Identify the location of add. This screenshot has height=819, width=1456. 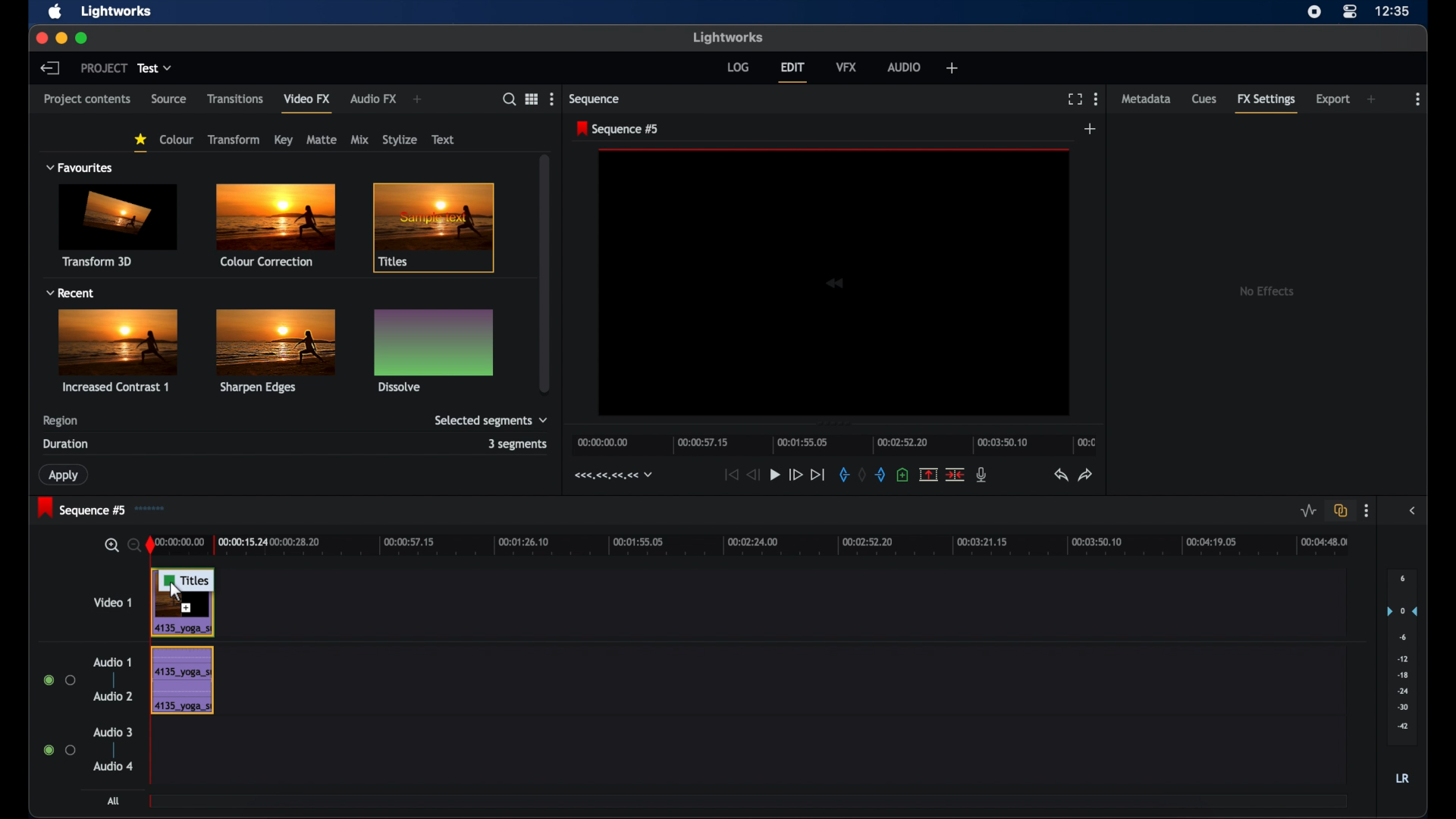
(1373, 99).